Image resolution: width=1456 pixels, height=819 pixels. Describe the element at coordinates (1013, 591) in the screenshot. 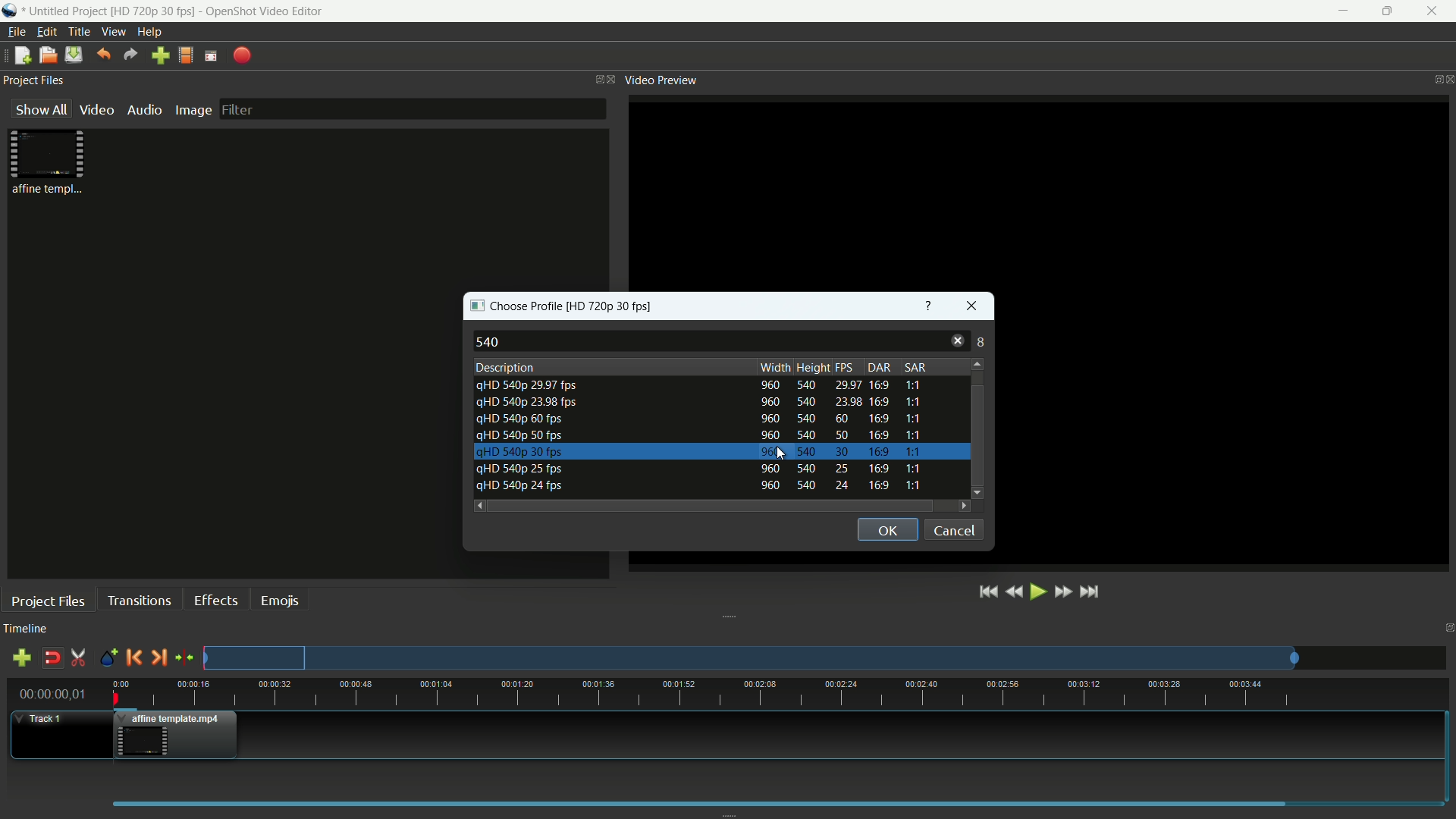

I see `rewind` at that location.